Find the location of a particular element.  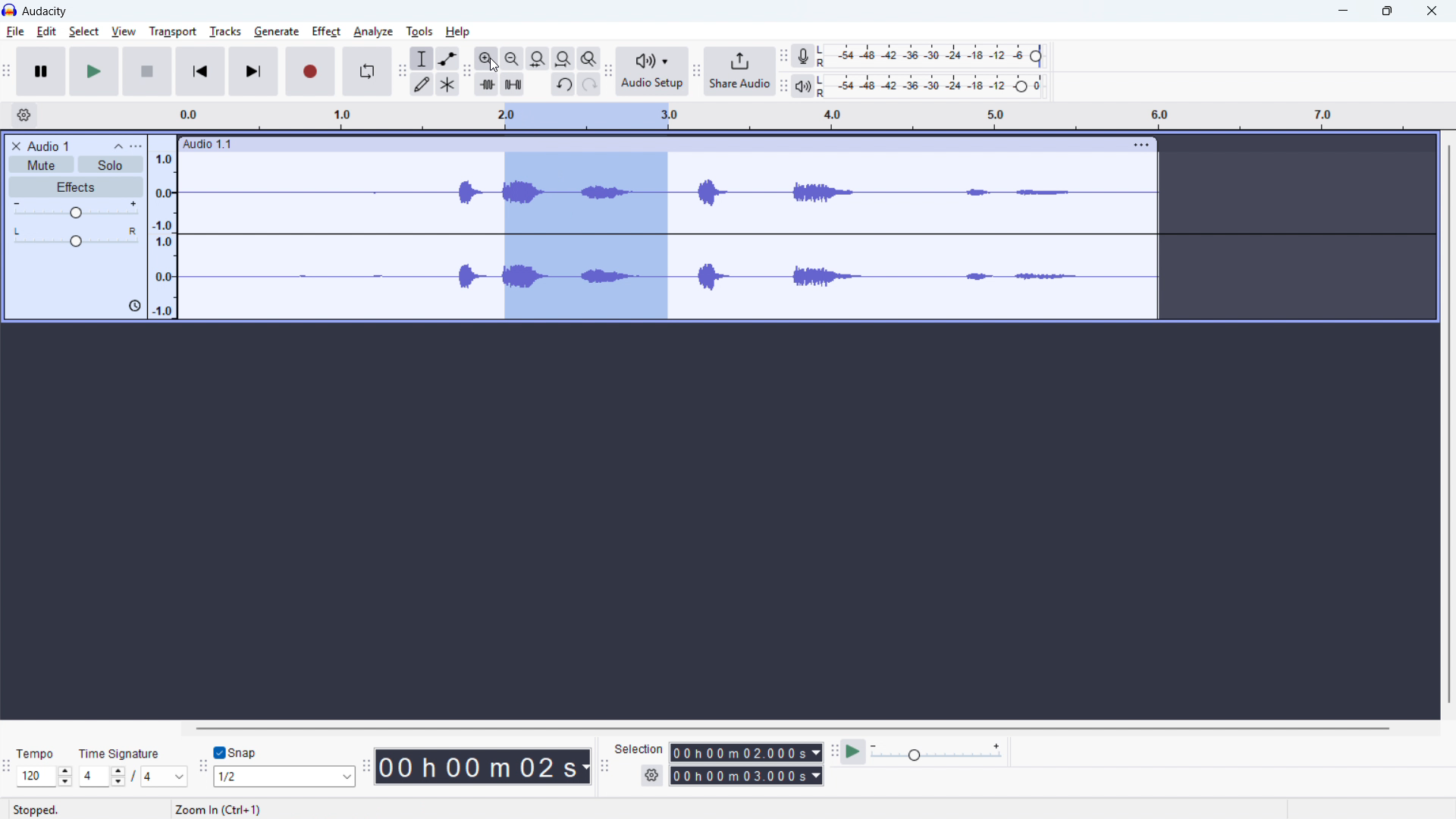

Selection settings is located at coordinates (652, 774).